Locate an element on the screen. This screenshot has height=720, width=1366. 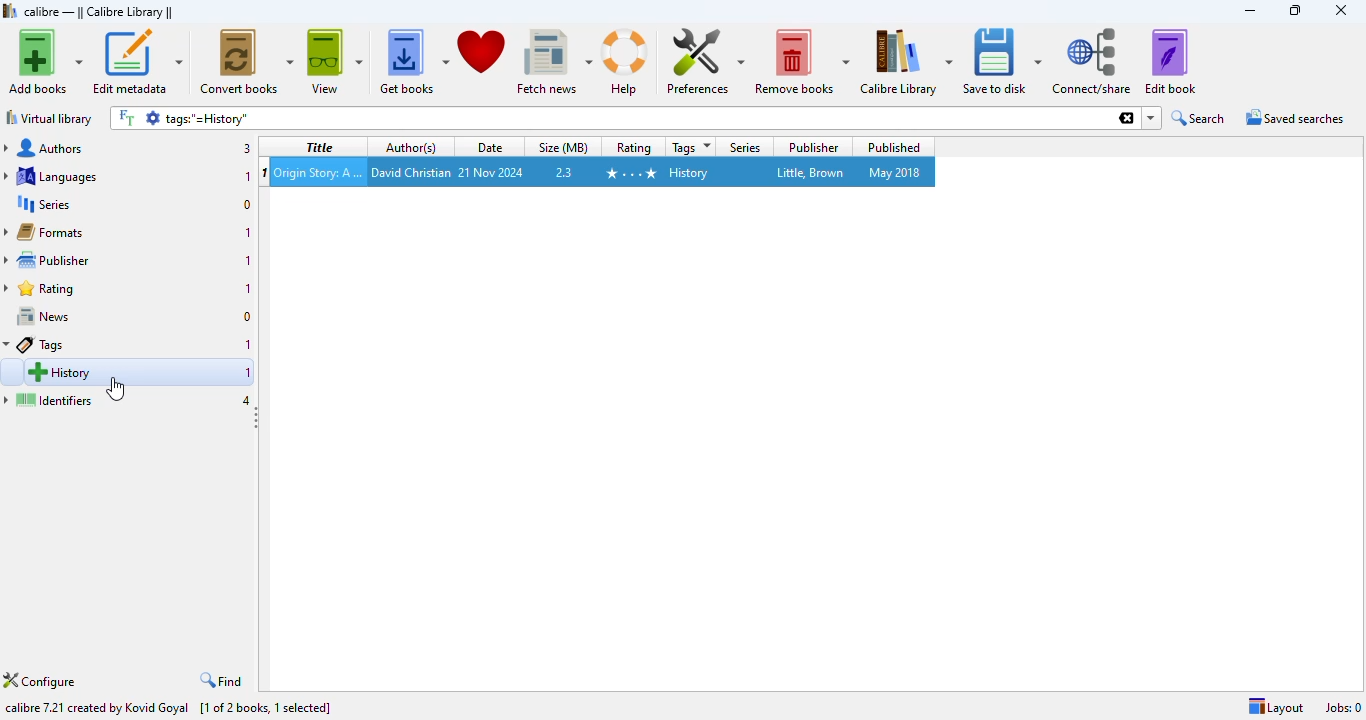
edit metadata is located at coordinates (139, 62).